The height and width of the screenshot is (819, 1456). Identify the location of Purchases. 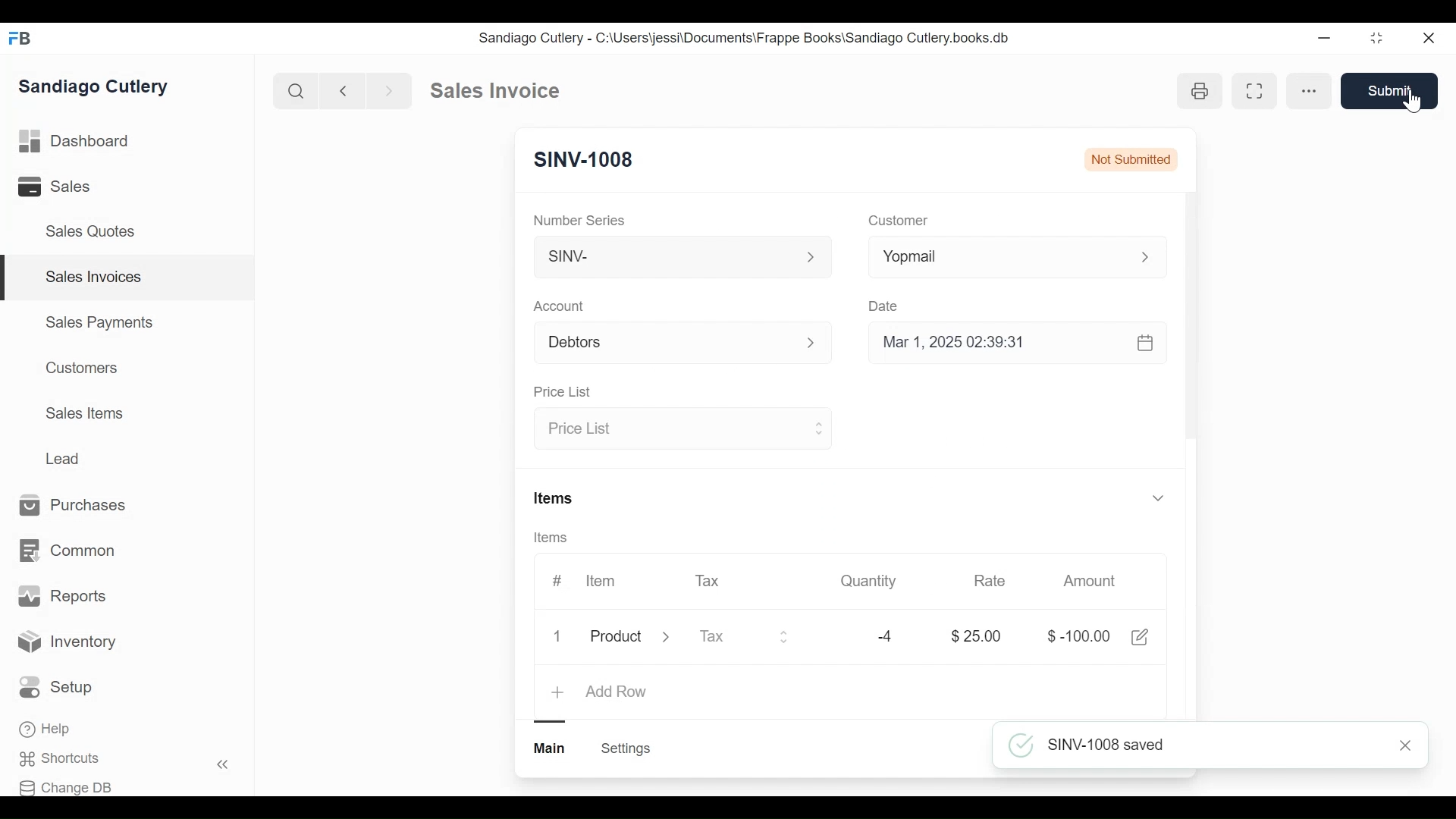
(73, 504).